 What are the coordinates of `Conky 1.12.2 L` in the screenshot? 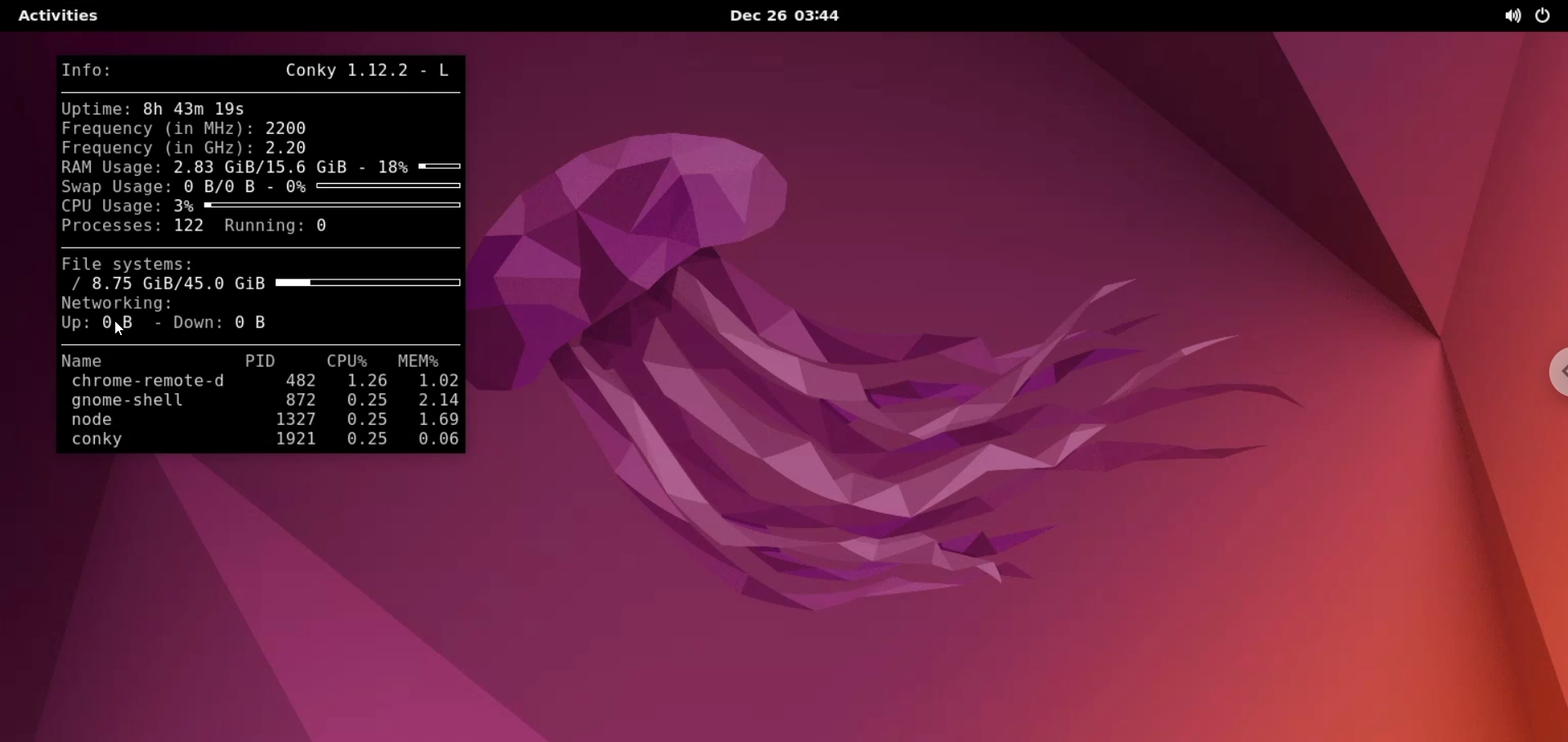 It's located at (361, 70).